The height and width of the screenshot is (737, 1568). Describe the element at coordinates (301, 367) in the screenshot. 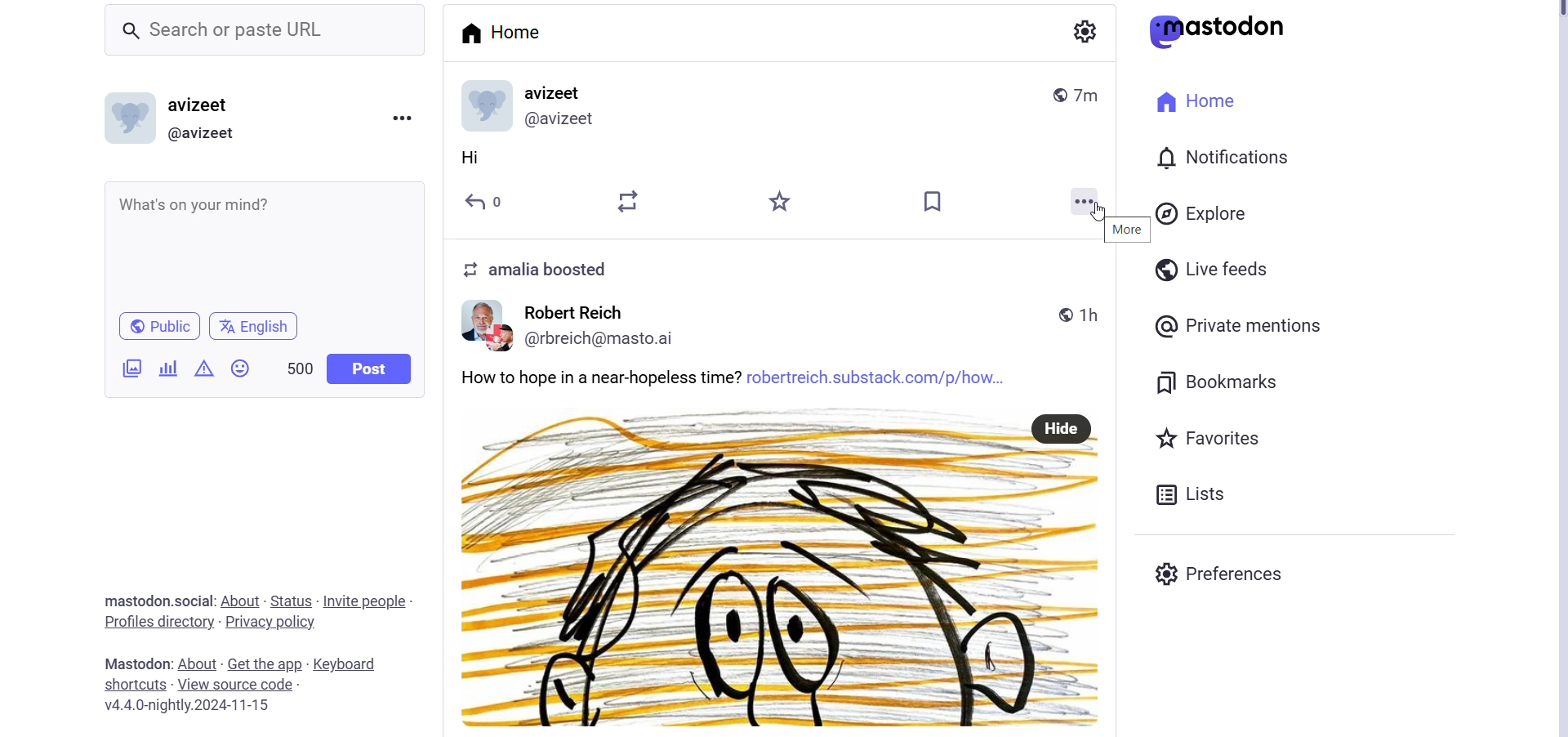

I see `Word Limit` at that location.